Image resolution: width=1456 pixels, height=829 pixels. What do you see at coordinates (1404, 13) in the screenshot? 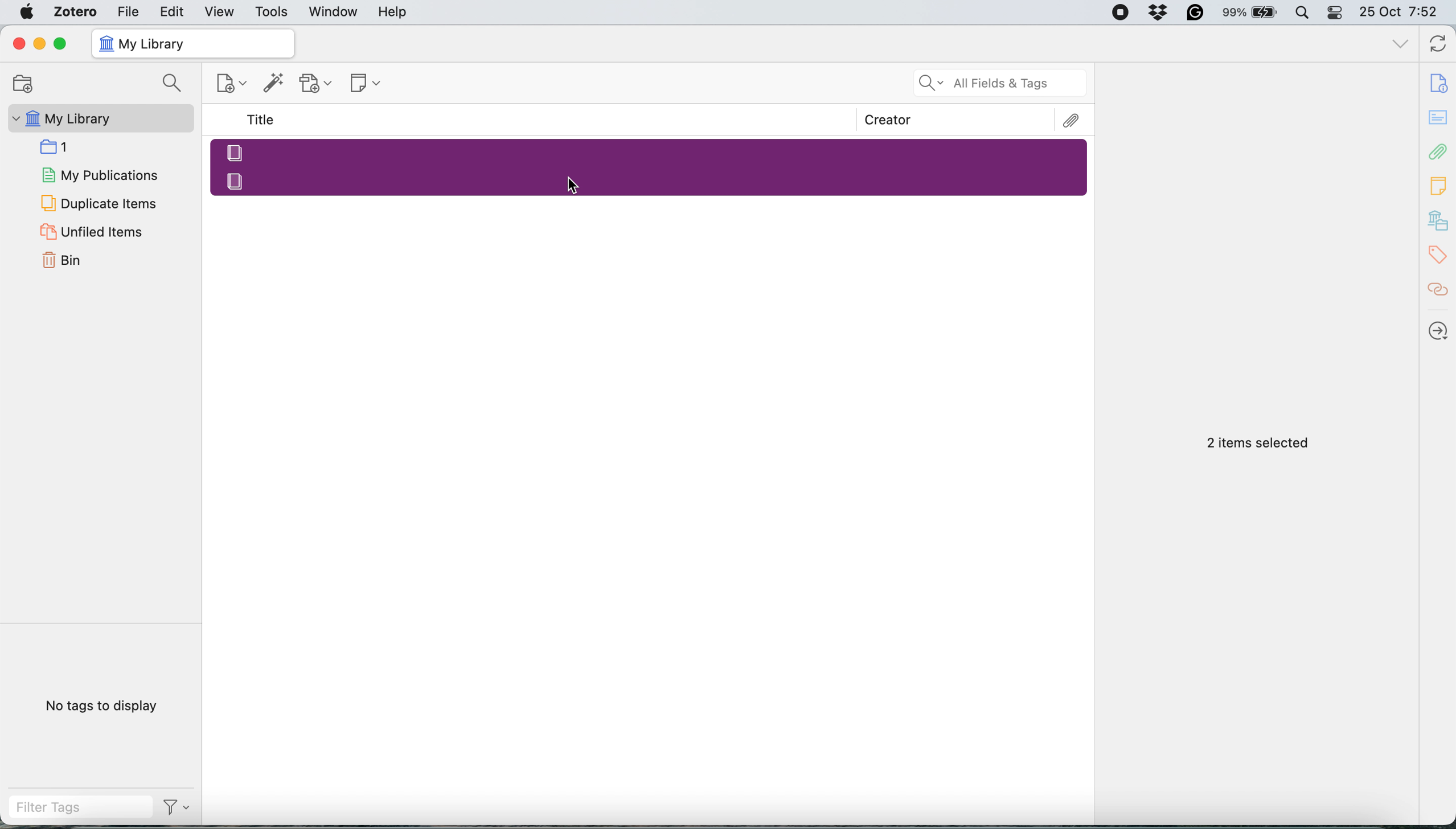
I see `25 Oct 7:52` at bounding box center [1404, 13].